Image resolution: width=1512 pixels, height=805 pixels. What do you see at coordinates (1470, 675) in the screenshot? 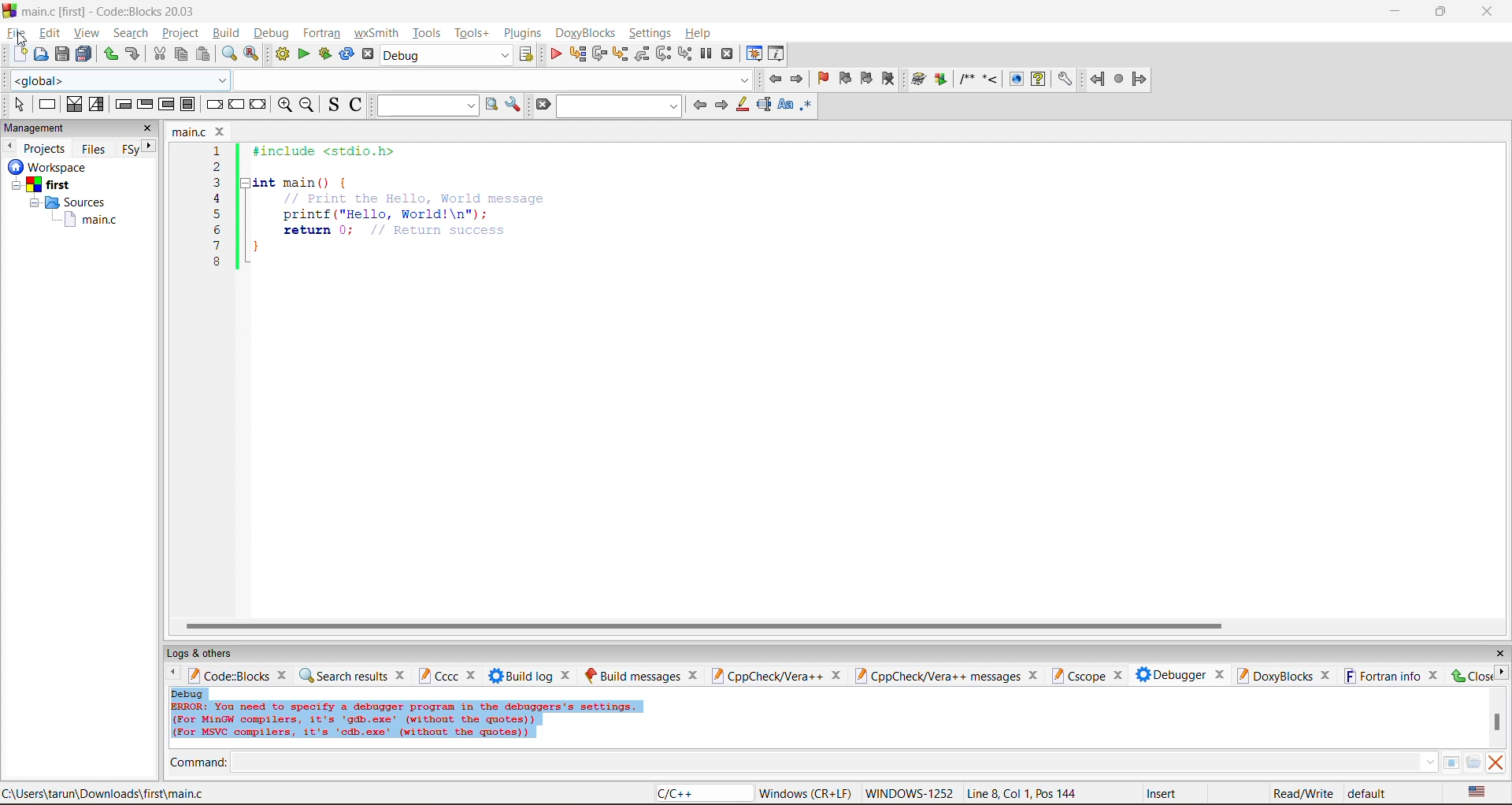
I see `close` at bounding box center [1470, 675].